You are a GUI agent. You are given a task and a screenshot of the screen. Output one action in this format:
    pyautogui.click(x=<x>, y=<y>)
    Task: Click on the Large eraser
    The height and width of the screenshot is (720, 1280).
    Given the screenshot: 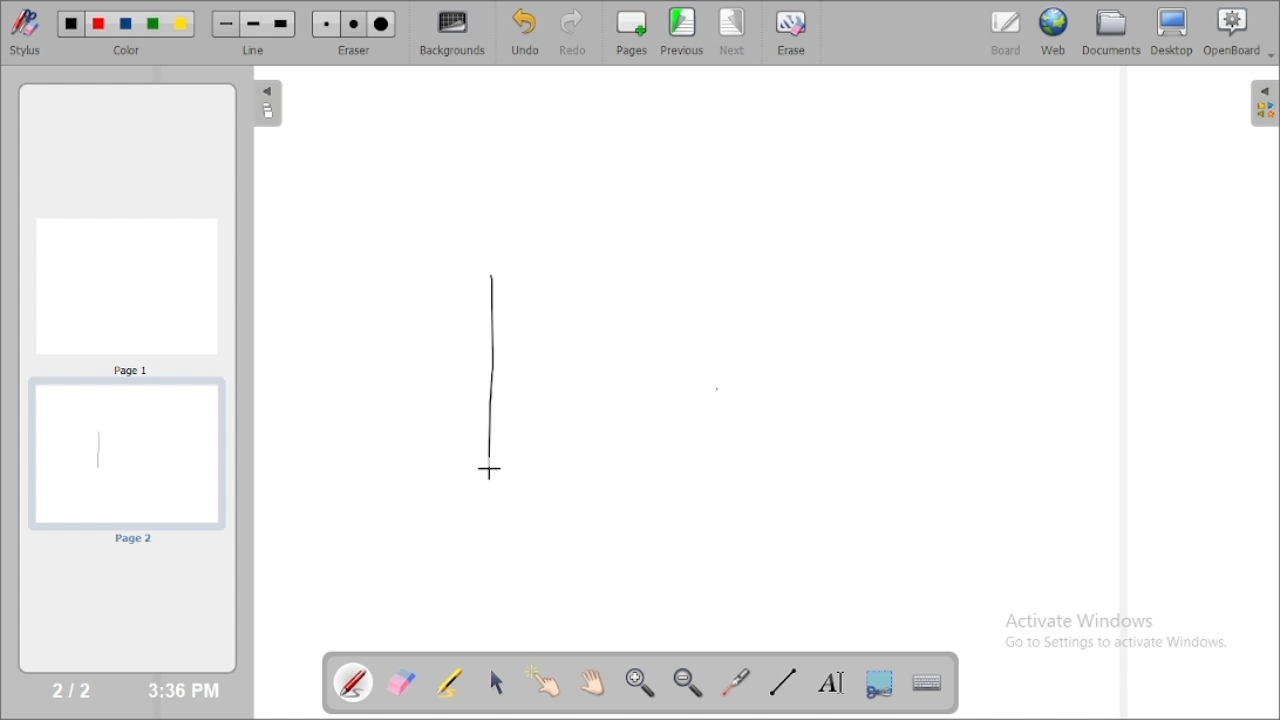 What is the action you would take?
    pyautogui.click(x=382, y=25)
    